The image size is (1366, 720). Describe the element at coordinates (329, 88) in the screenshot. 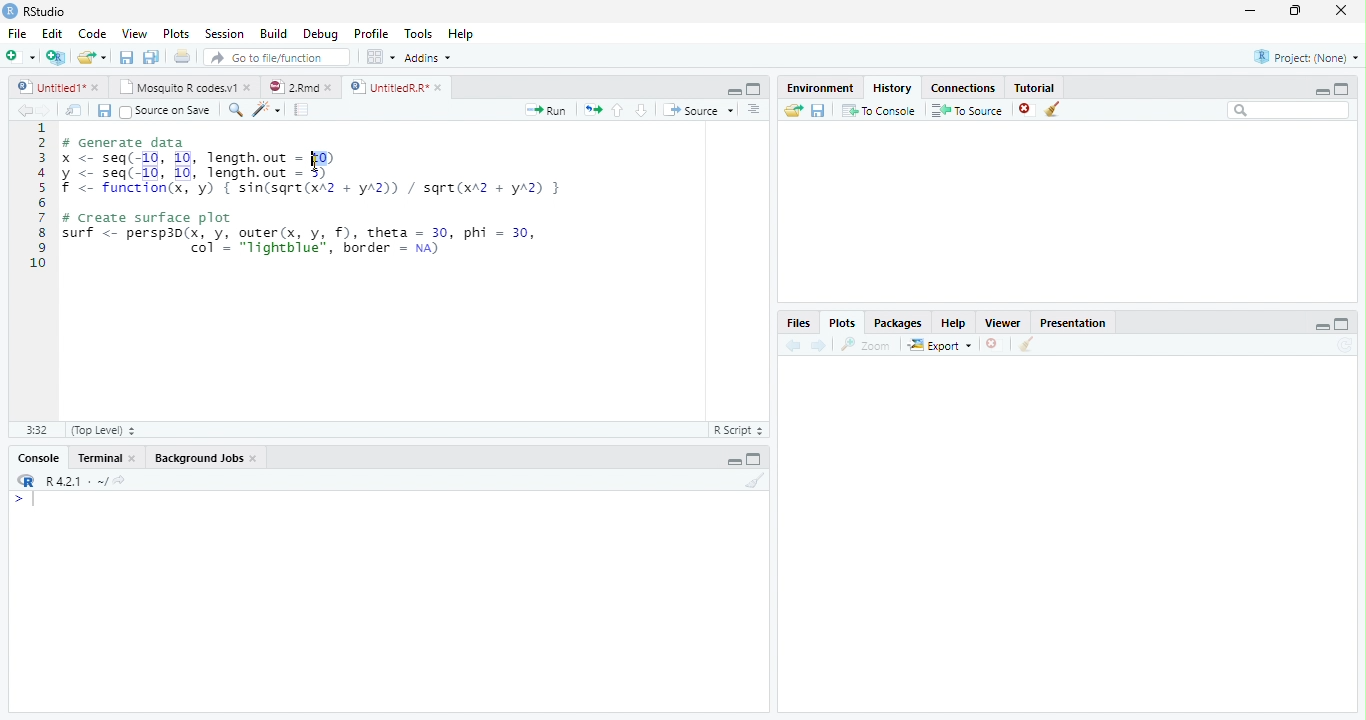

I see `close` at that location.